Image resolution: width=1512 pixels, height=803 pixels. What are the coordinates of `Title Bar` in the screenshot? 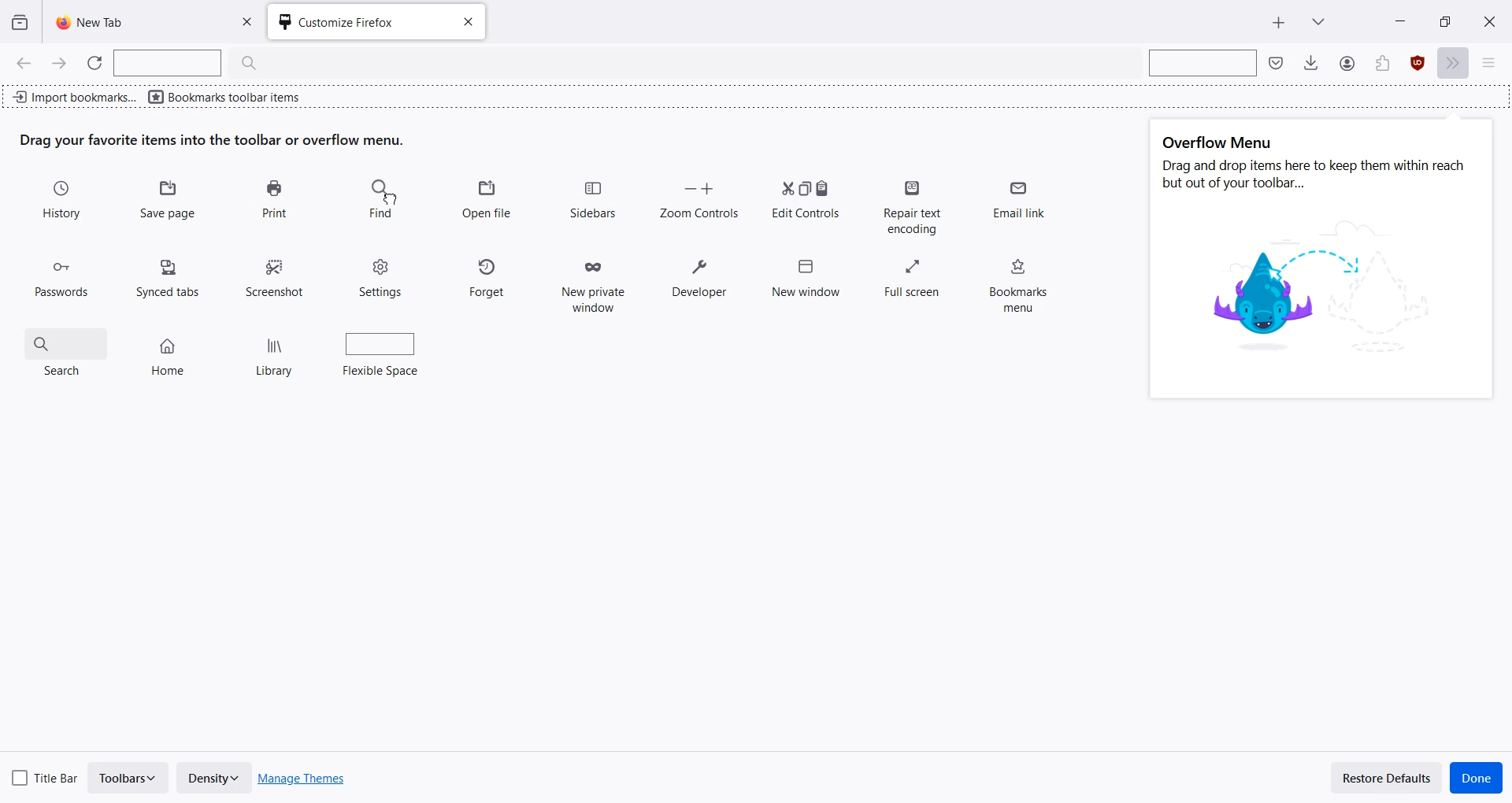 It's located at (46, 775).